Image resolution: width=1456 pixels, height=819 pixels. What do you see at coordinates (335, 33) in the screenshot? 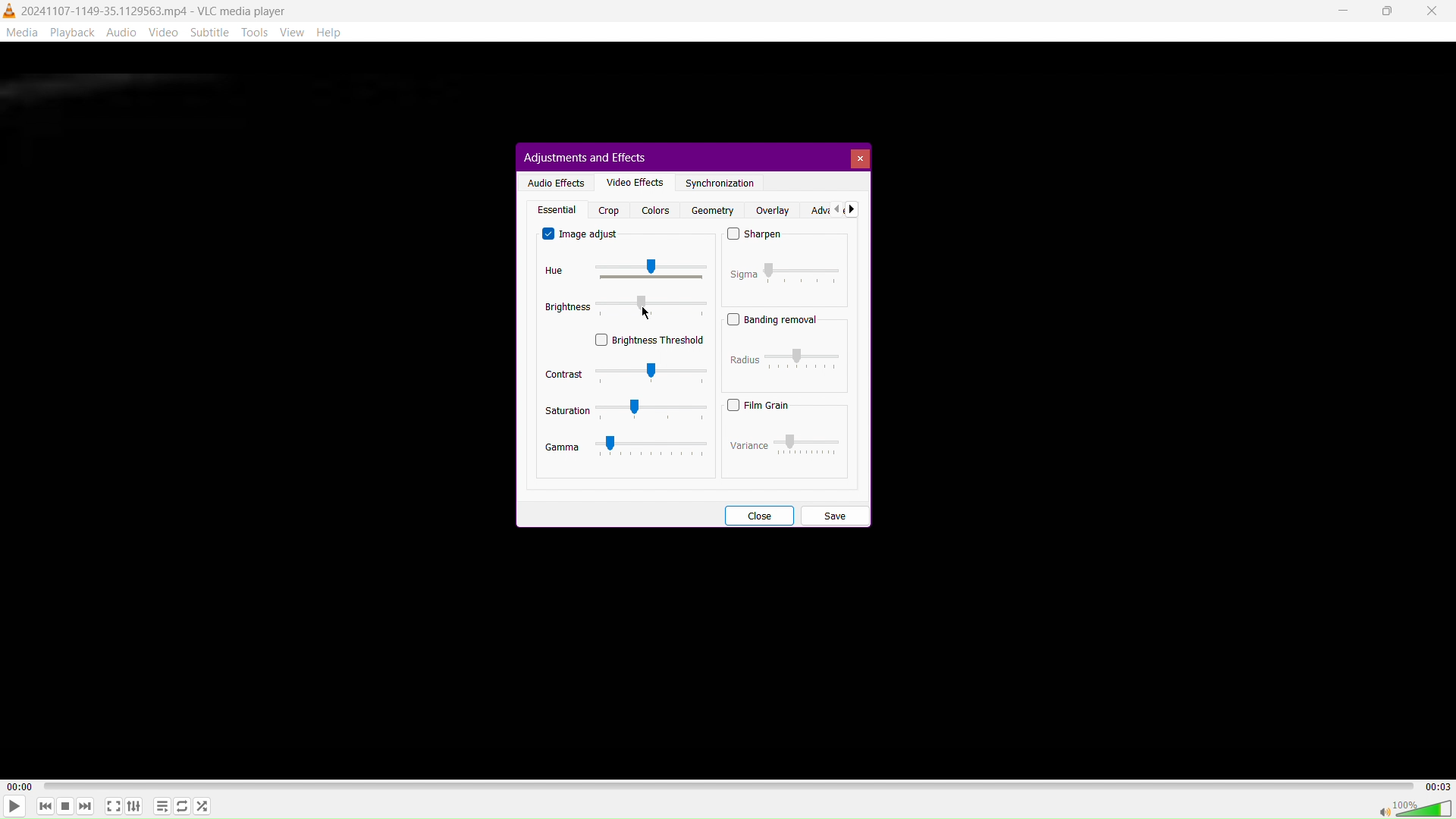
I see `Help` at bounding box center [335, 33].